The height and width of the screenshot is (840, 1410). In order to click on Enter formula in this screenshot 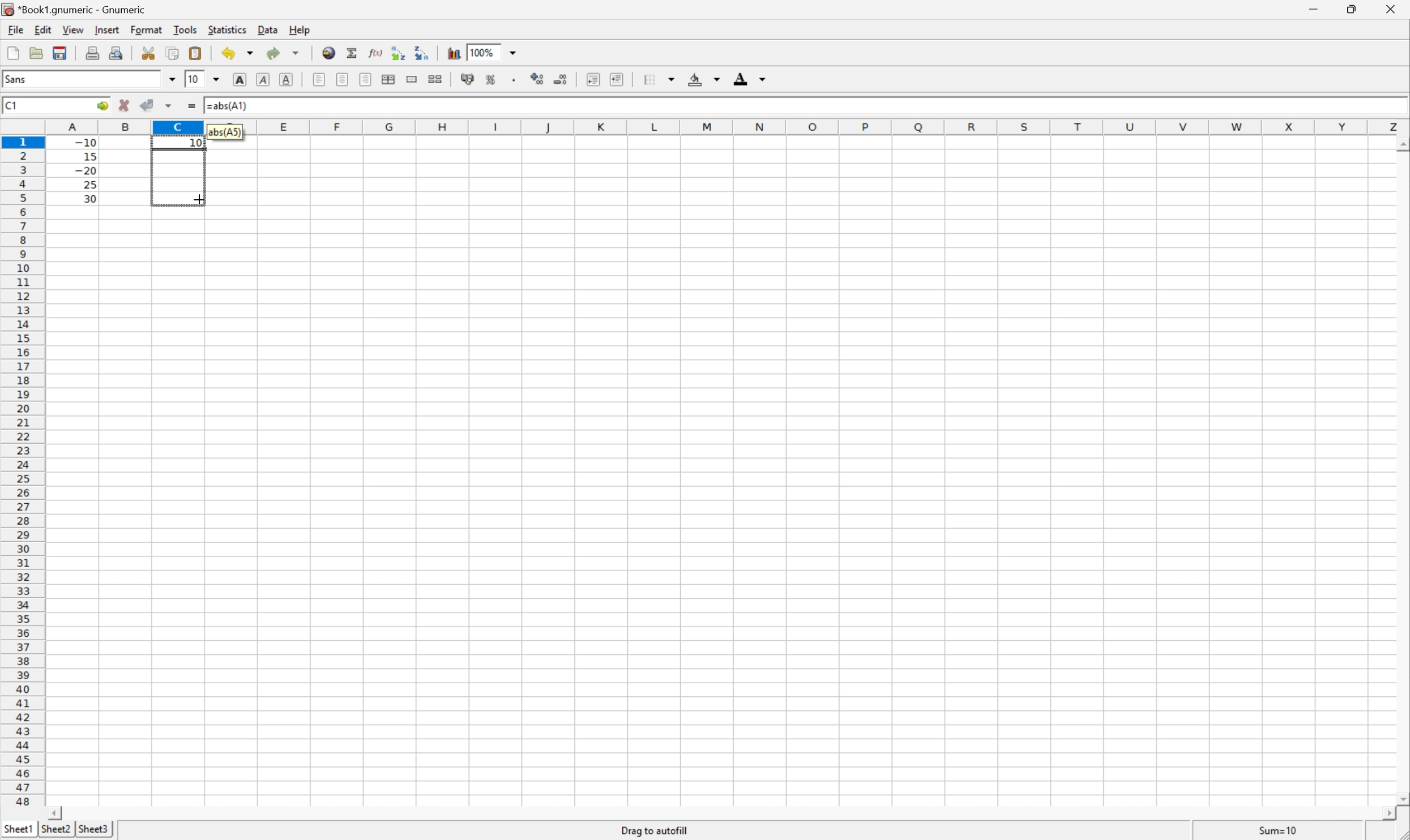, I will do `click(194, 107)`.